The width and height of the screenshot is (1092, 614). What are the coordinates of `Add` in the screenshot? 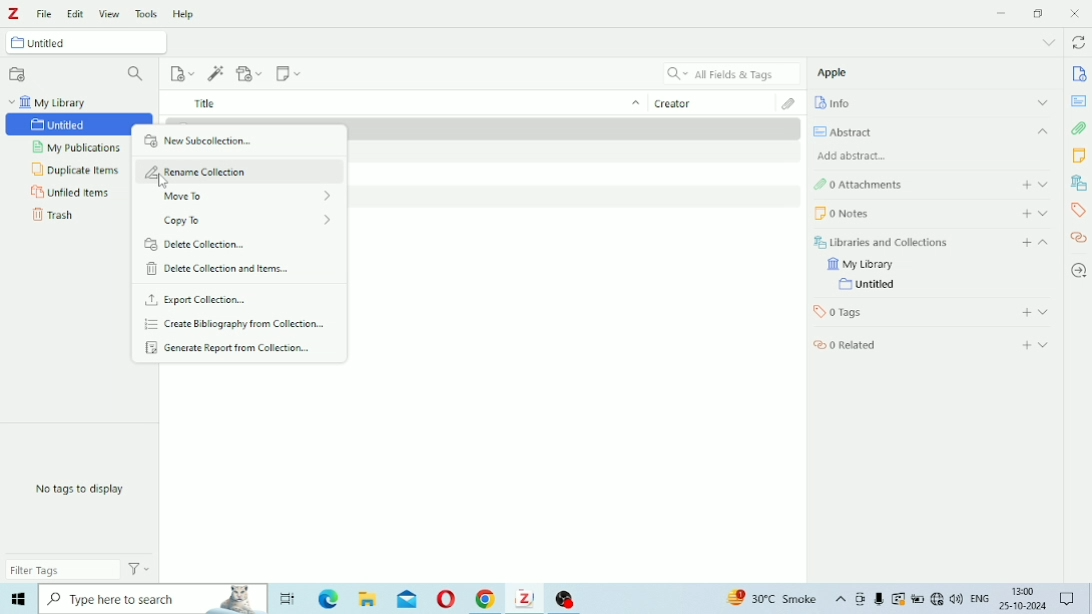 It's located at (1026, 185).